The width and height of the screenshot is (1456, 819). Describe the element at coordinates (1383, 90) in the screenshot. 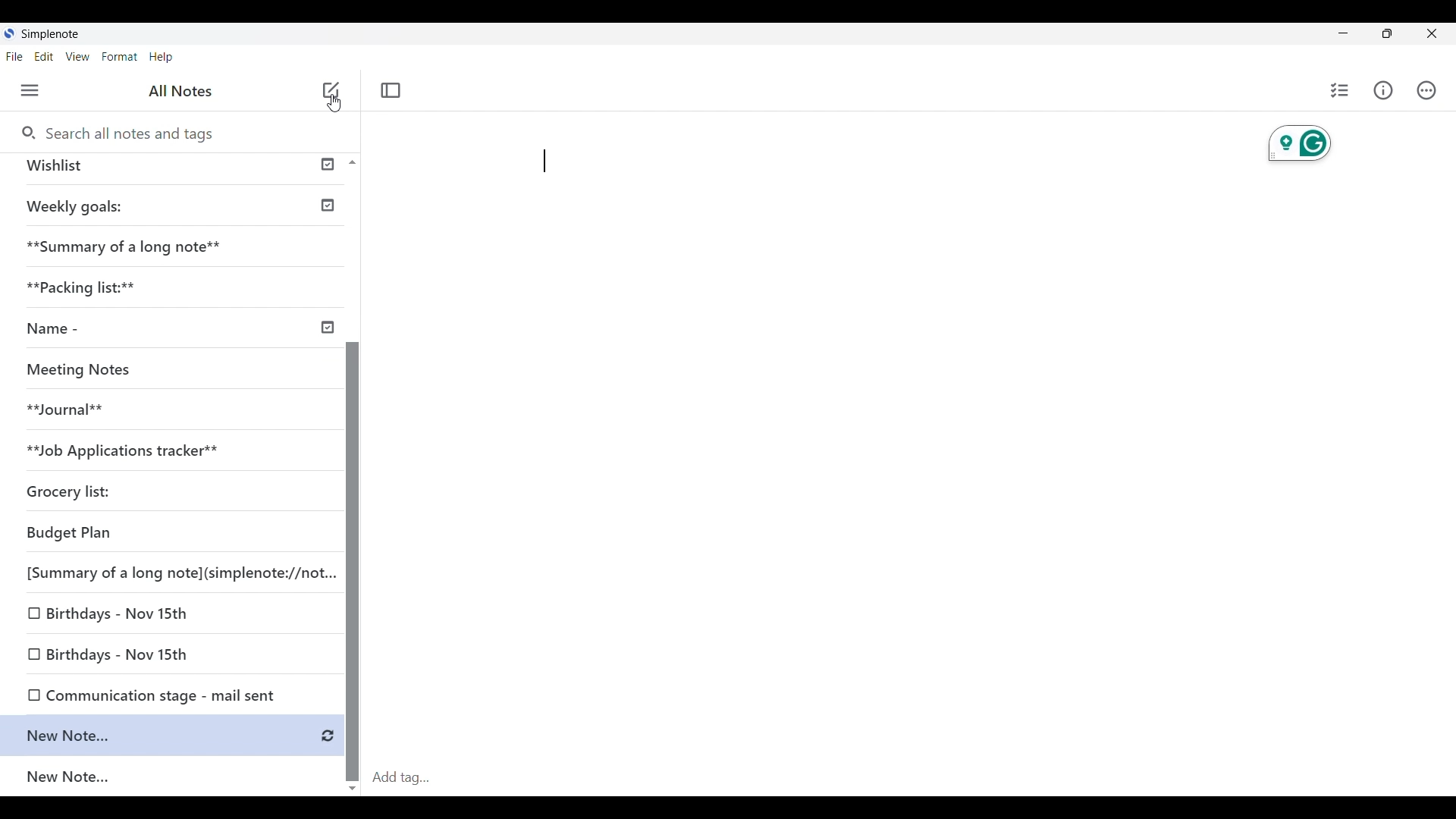

I see `Info` at that location.